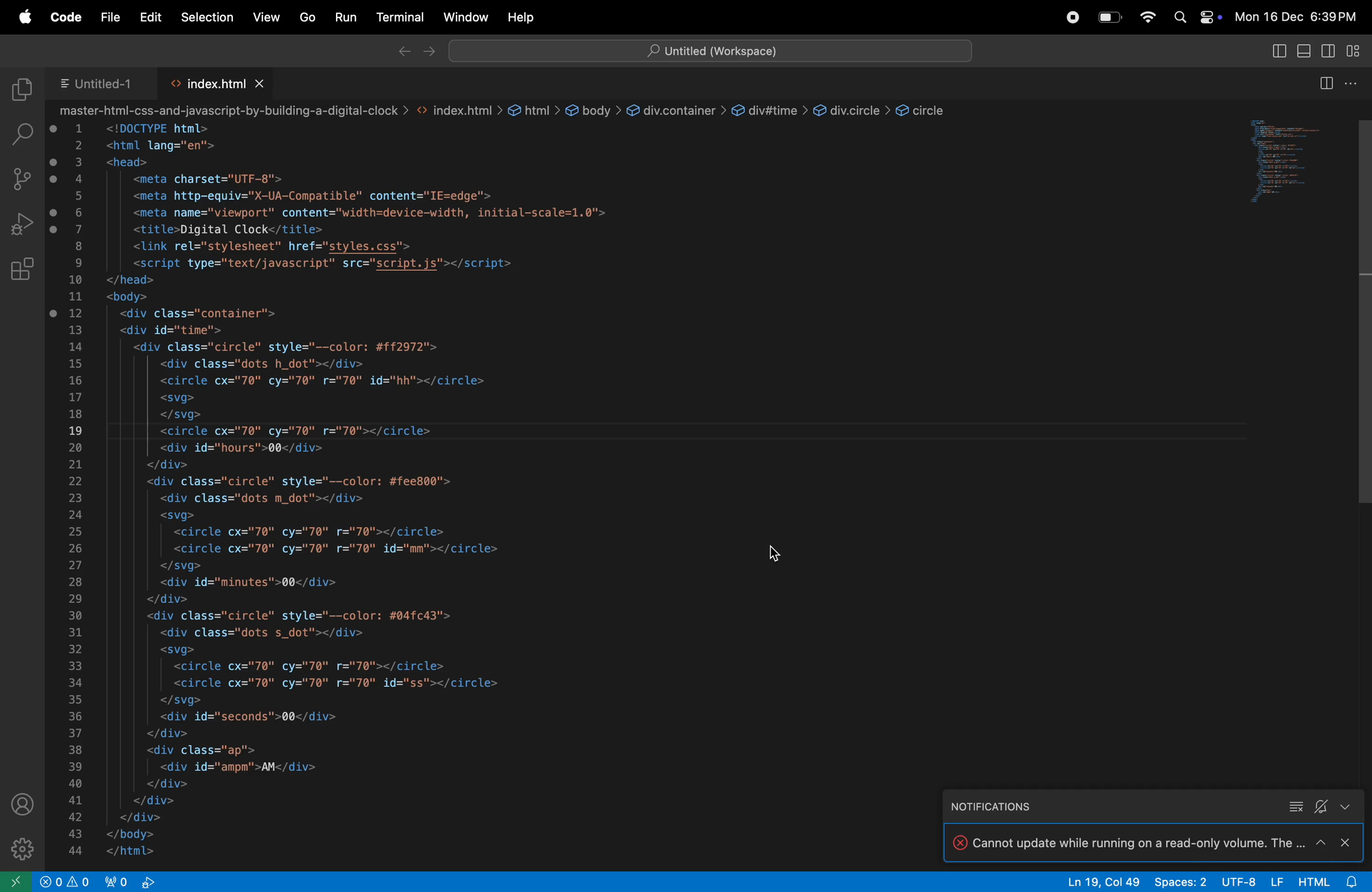  Describe the element at coordinates (1328, 50) in the screenshot. I see `toggle secondary side bar` at that location.